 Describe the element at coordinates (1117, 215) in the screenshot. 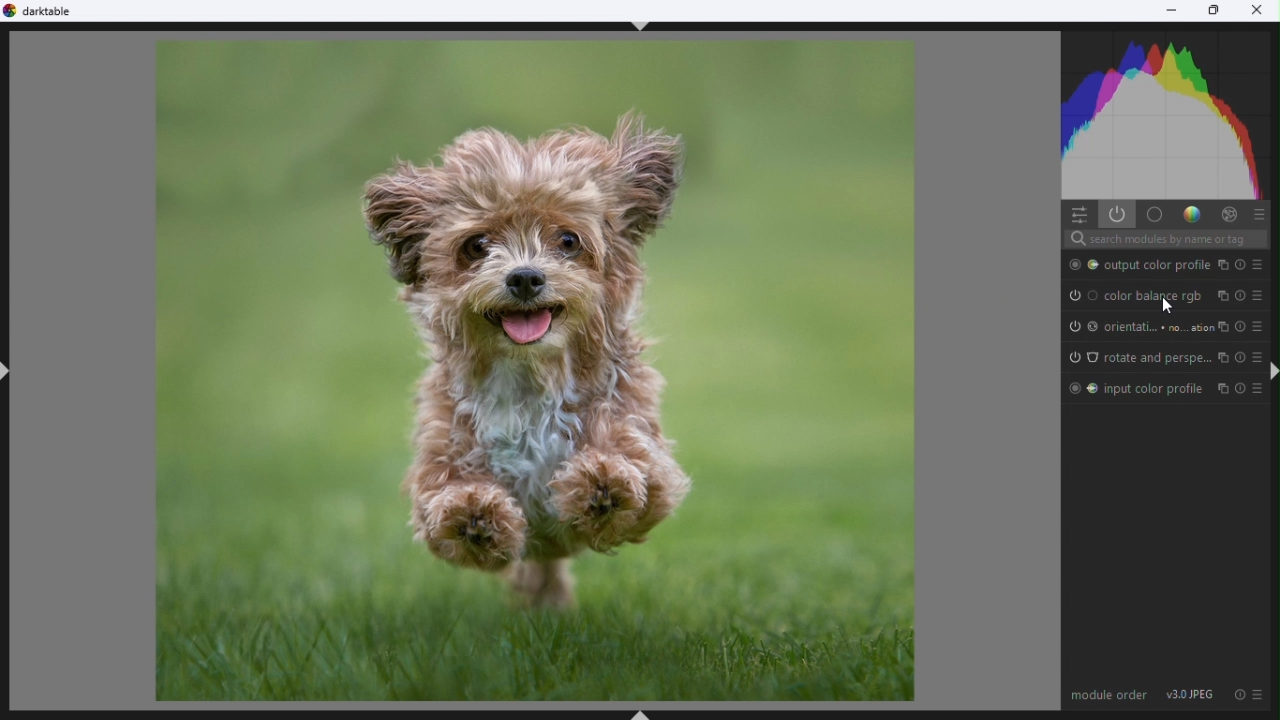

I see `Show active models only` at that location.